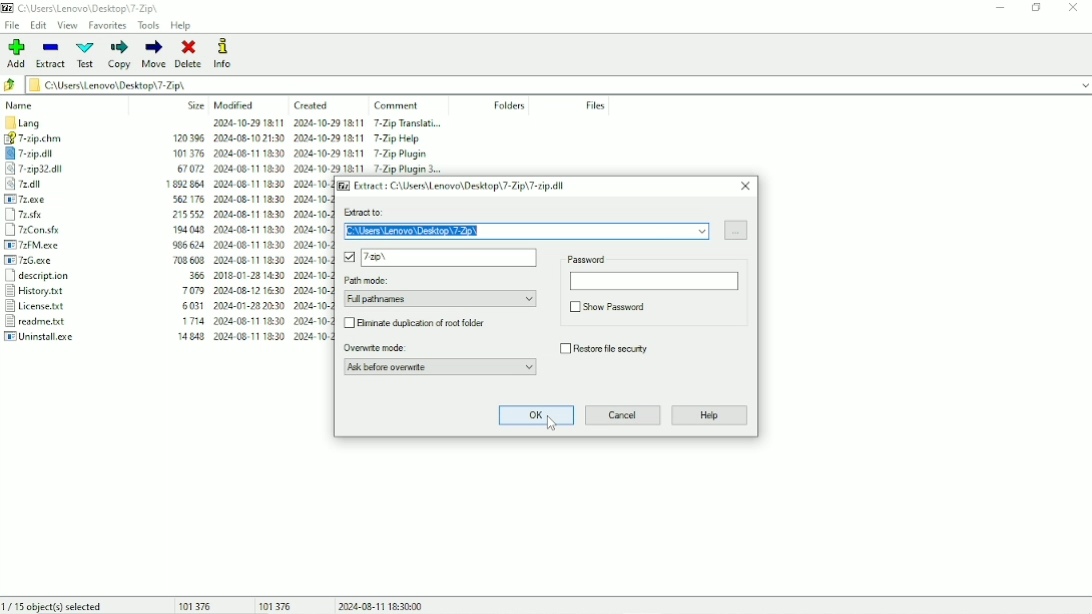 The width and height of the screenshot is (1092, 614). Describe the element at coordinates (49, 123) in the screenshot. I see `Lang` at that location.